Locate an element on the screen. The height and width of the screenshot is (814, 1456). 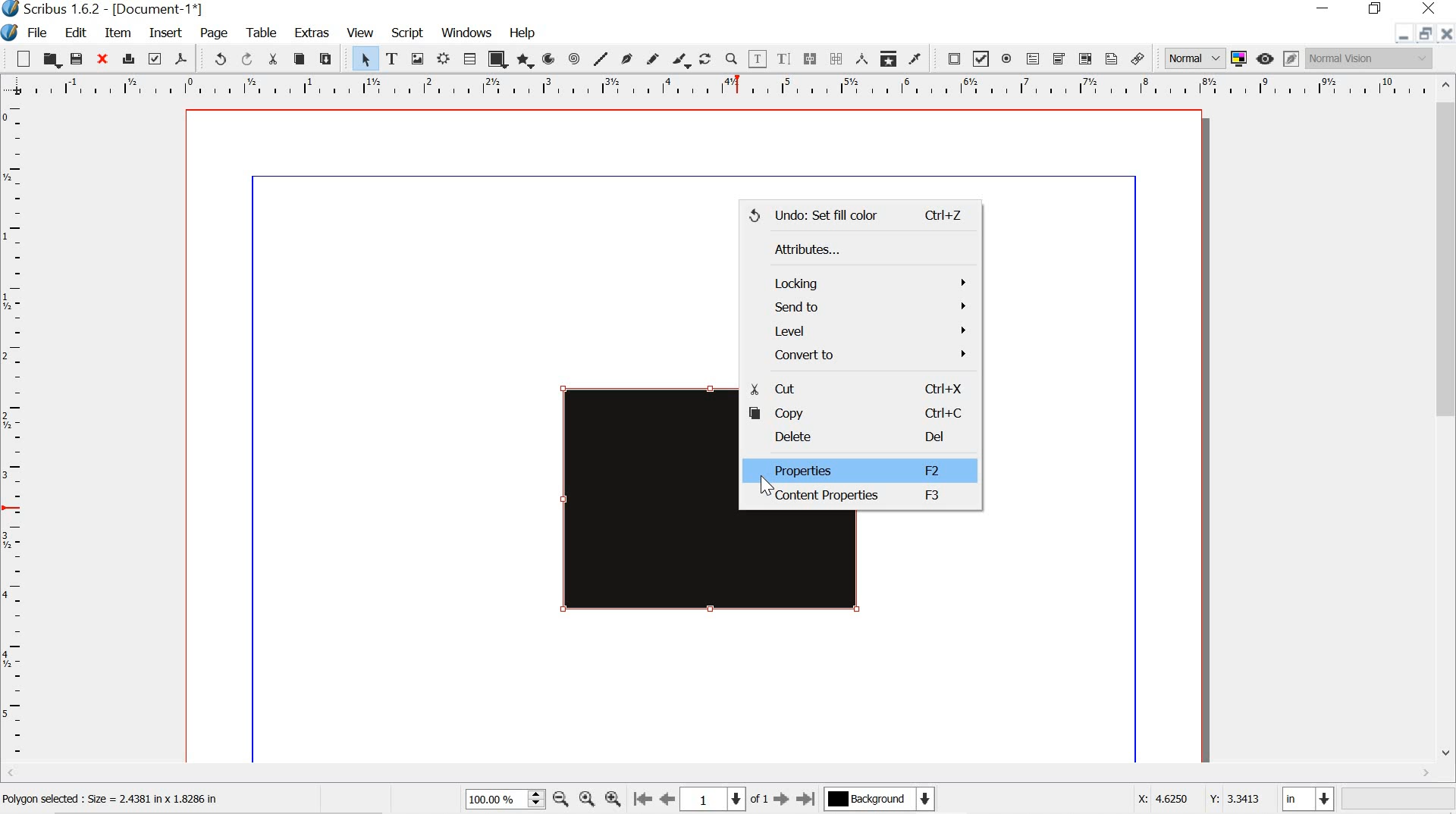
zoom in is located at coordinates (611, 801).